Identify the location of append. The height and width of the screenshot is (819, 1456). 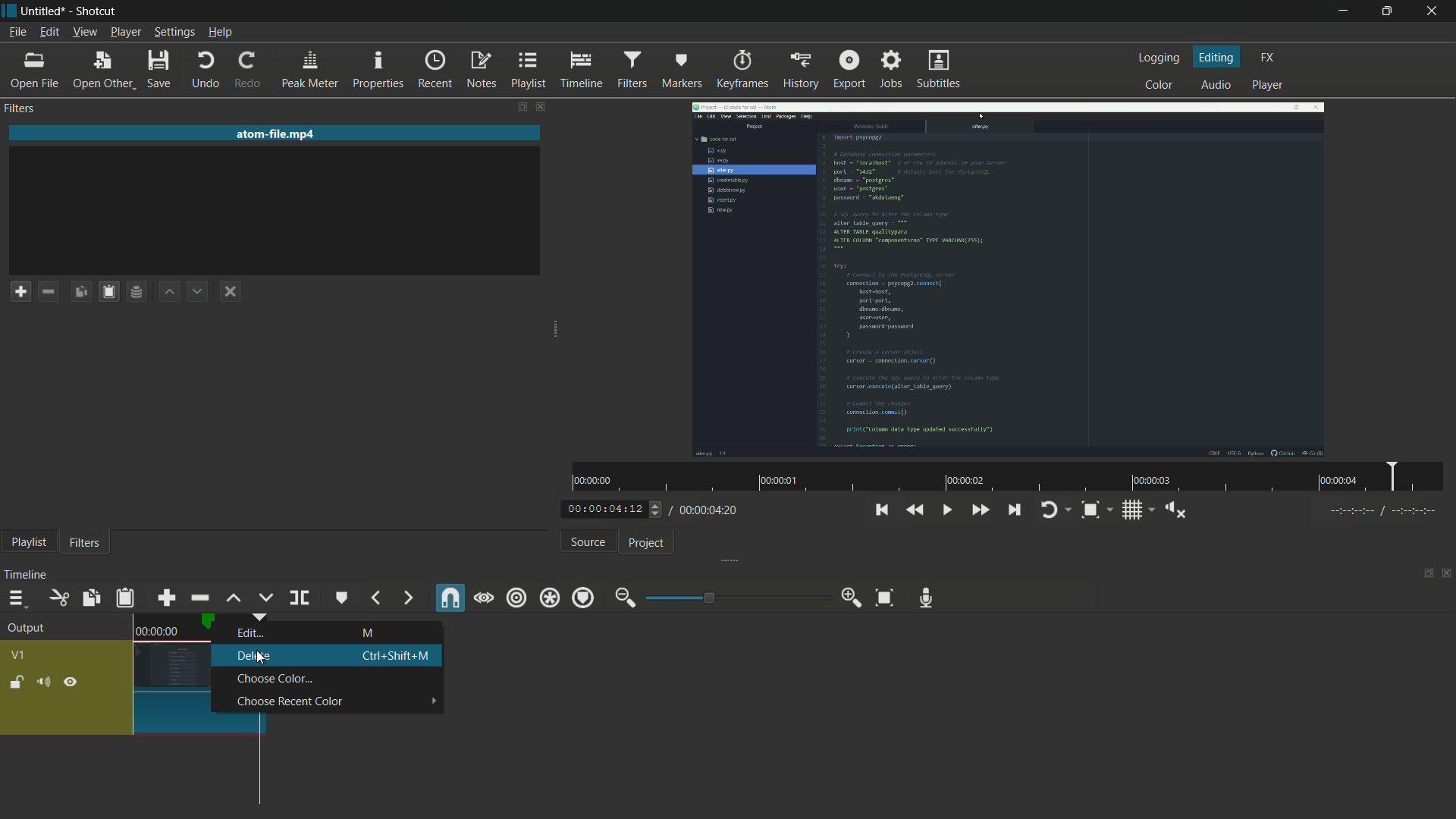
(167, 600).